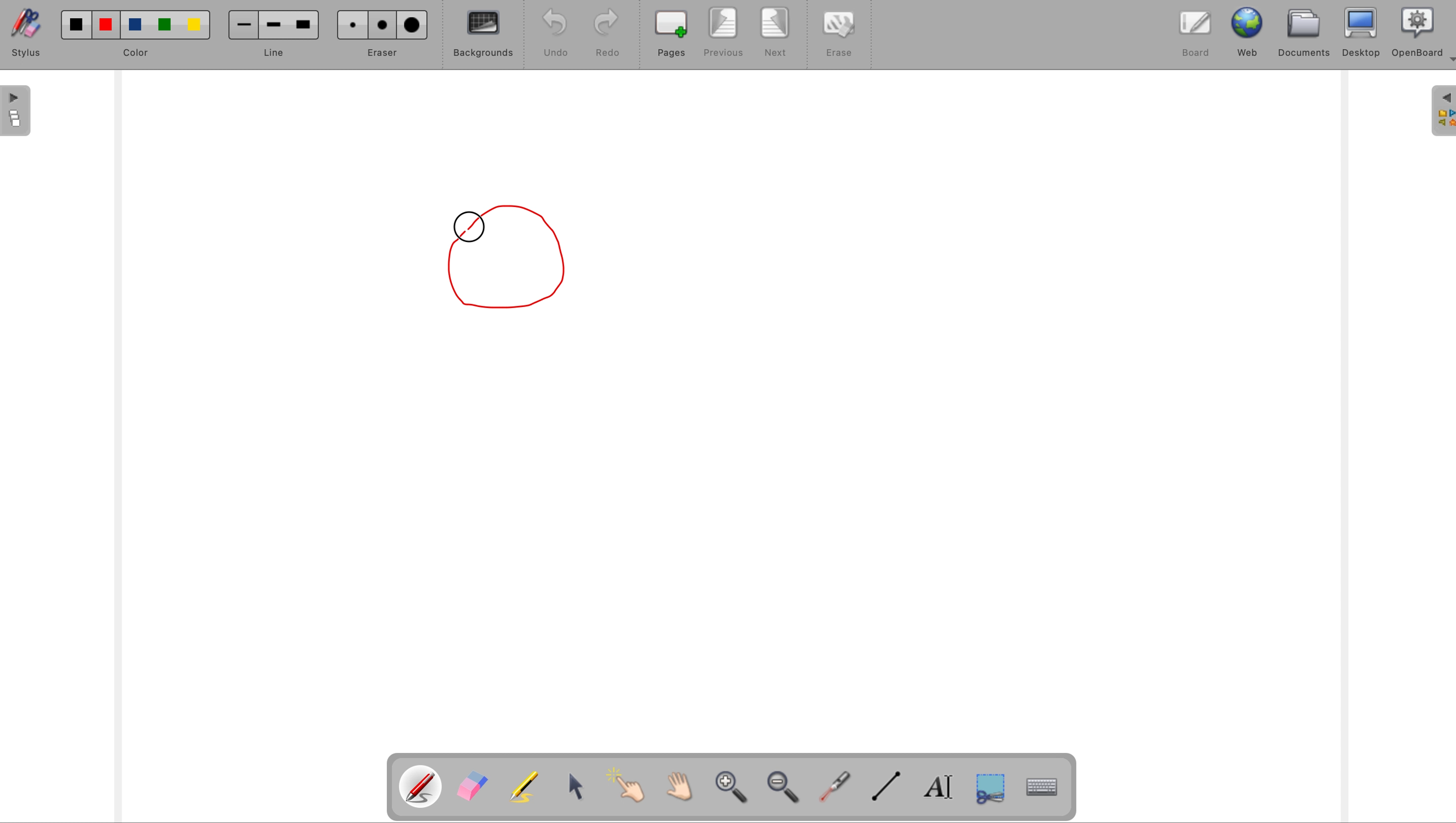 The image size is (1456, 823). I want to click on capture part of screen, so click(998, 792).